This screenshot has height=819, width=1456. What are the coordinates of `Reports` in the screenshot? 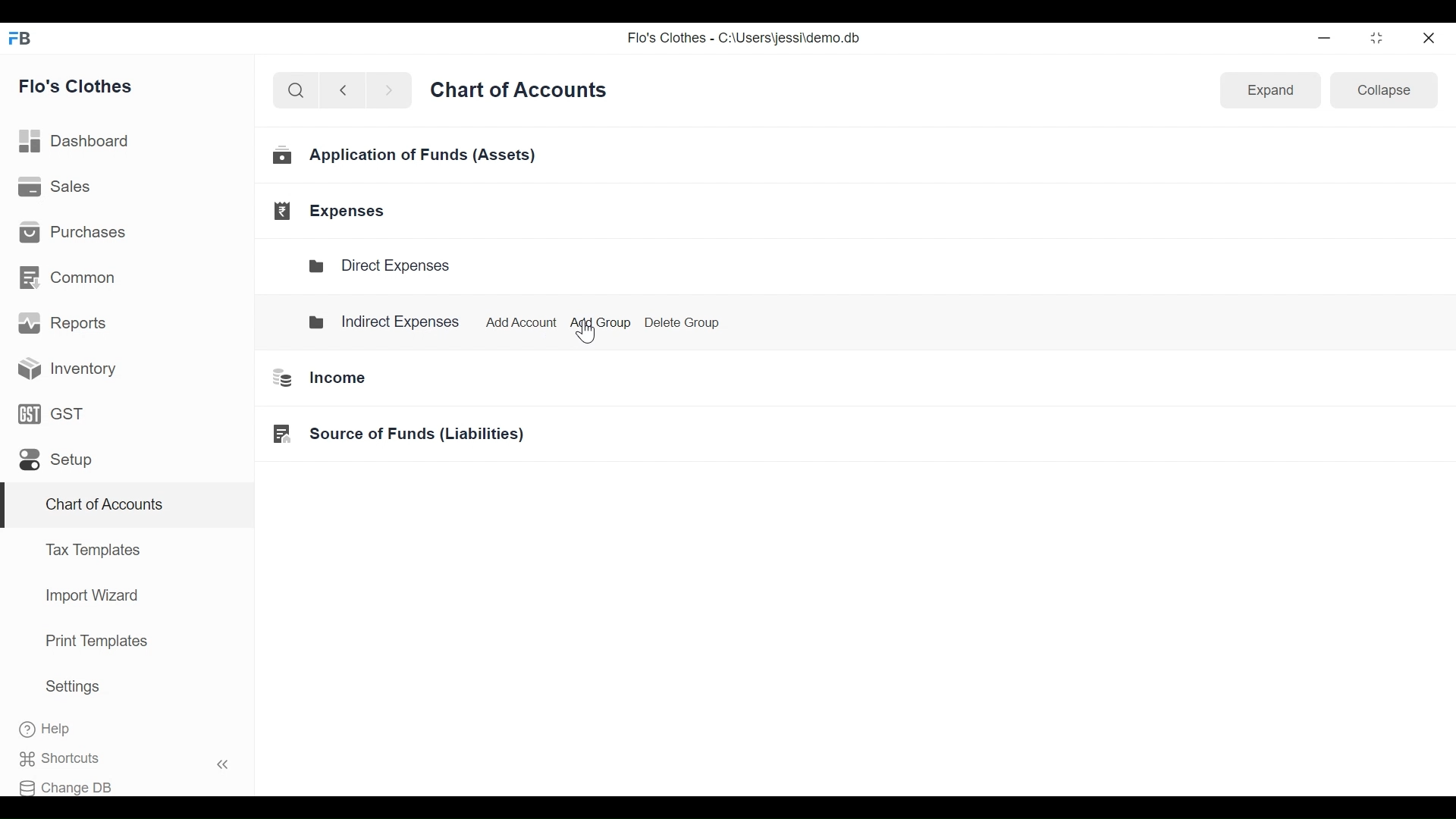 It's located at (65, 326).